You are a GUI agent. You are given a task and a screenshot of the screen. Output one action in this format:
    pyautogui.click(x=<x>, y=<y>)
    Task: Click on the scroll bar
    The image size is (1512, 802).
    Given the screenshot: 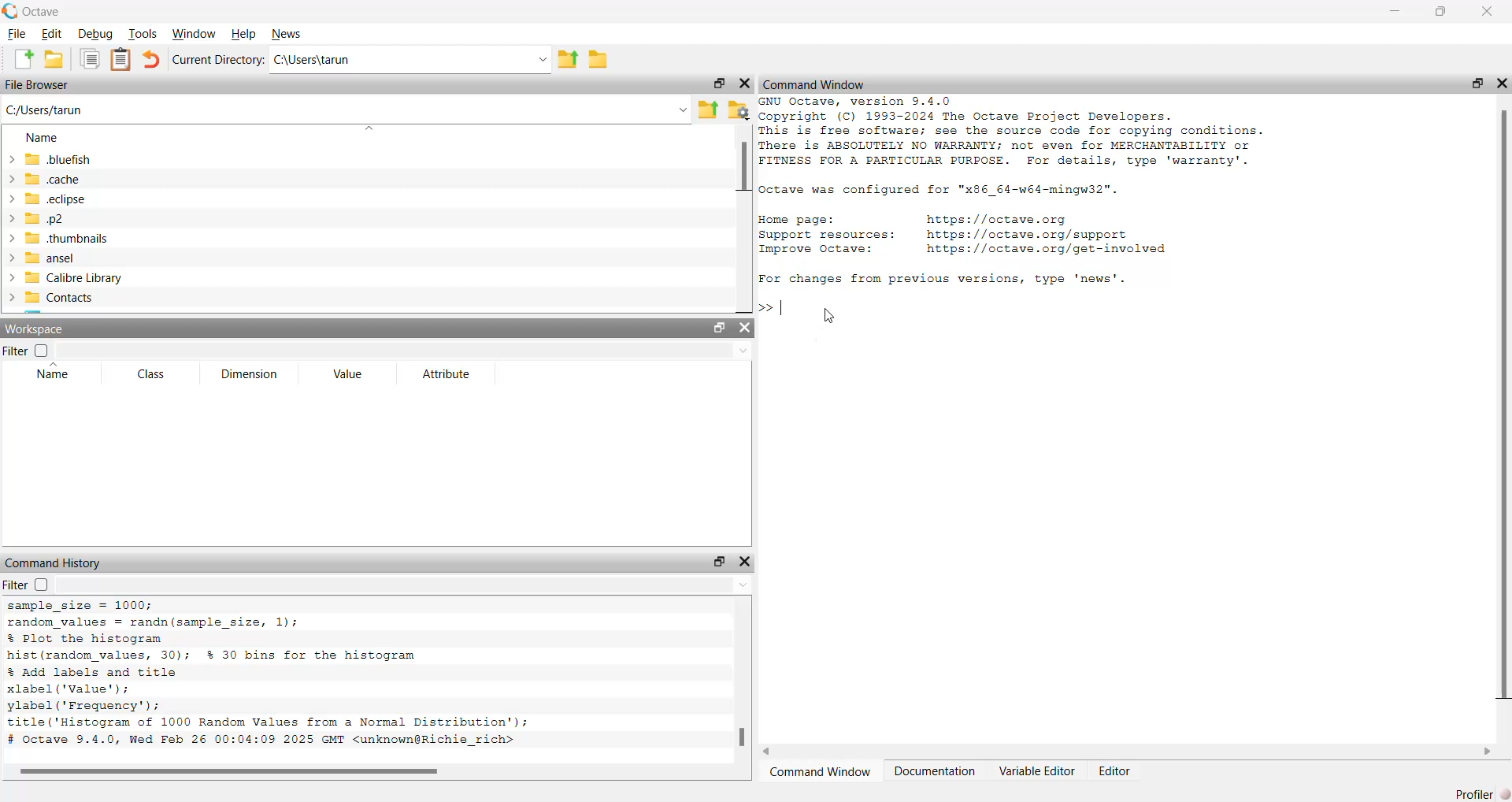 What is the action you would take?
    pyautogui.click(x=1503, y=408)
    